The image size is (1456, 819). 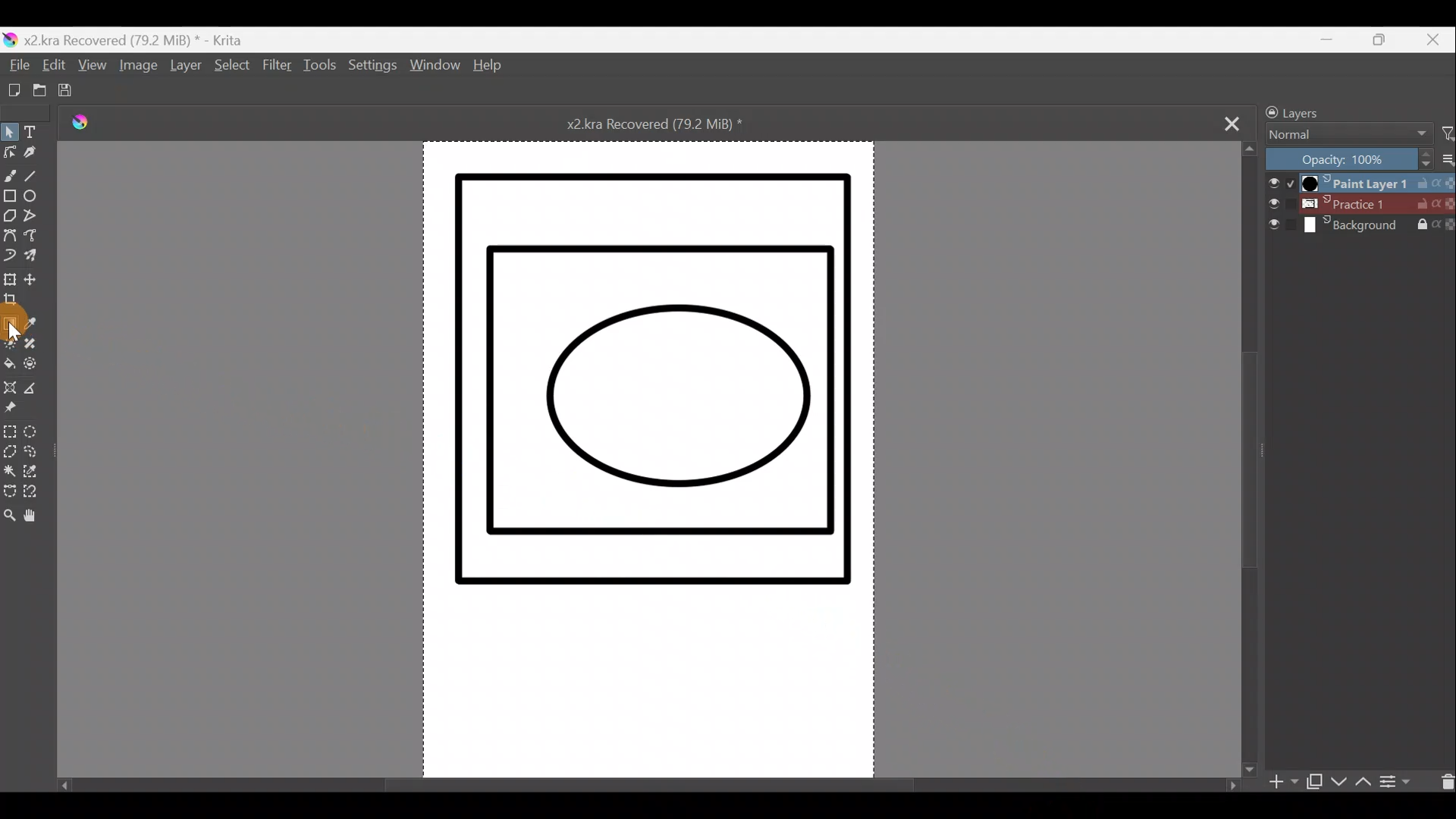 What do you see at coordinates (644, 780) in the screenshot?
I see `Scroll bar` at bounding box center [644, 780].